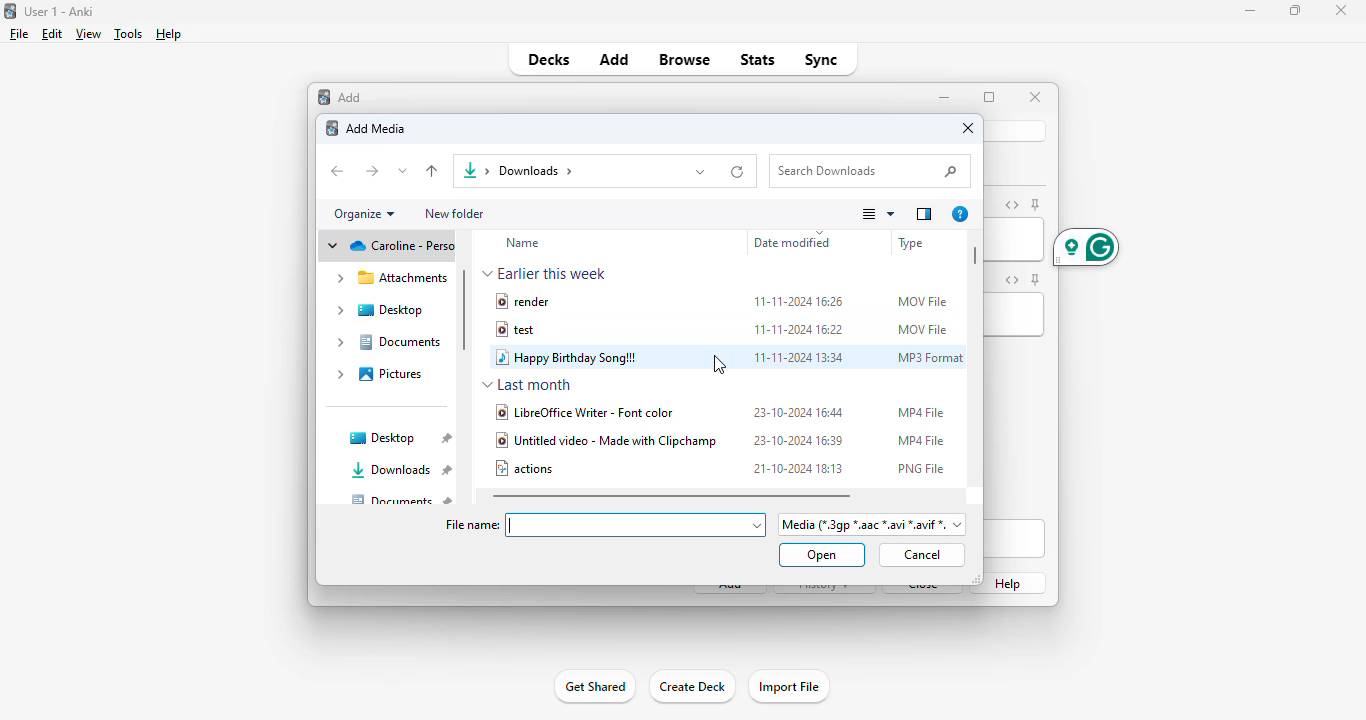 The width and height of the screenshot is (1366, 720). I want to click on MP4 file, so click(921, 412).